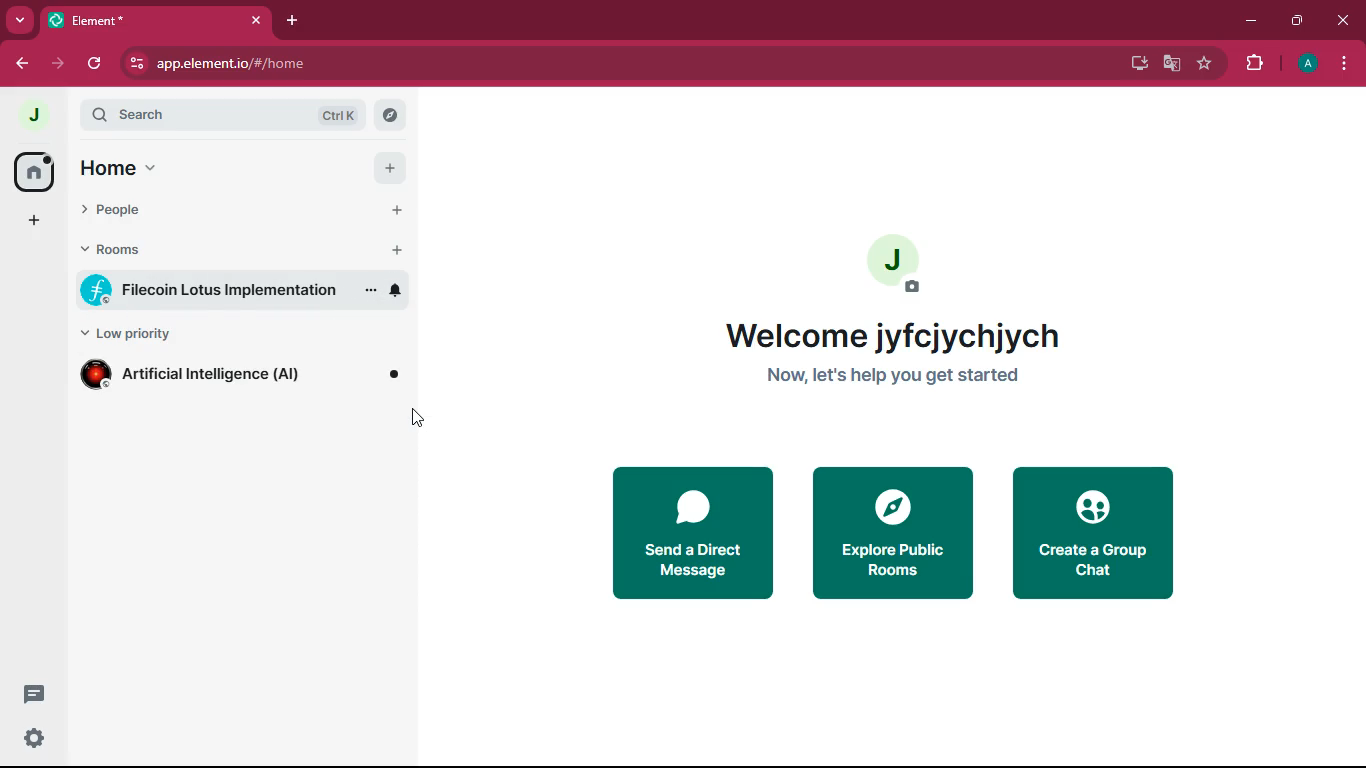 The width and height of the screenshot is (1366, 768). I want to click on get started, so click(890, 379).